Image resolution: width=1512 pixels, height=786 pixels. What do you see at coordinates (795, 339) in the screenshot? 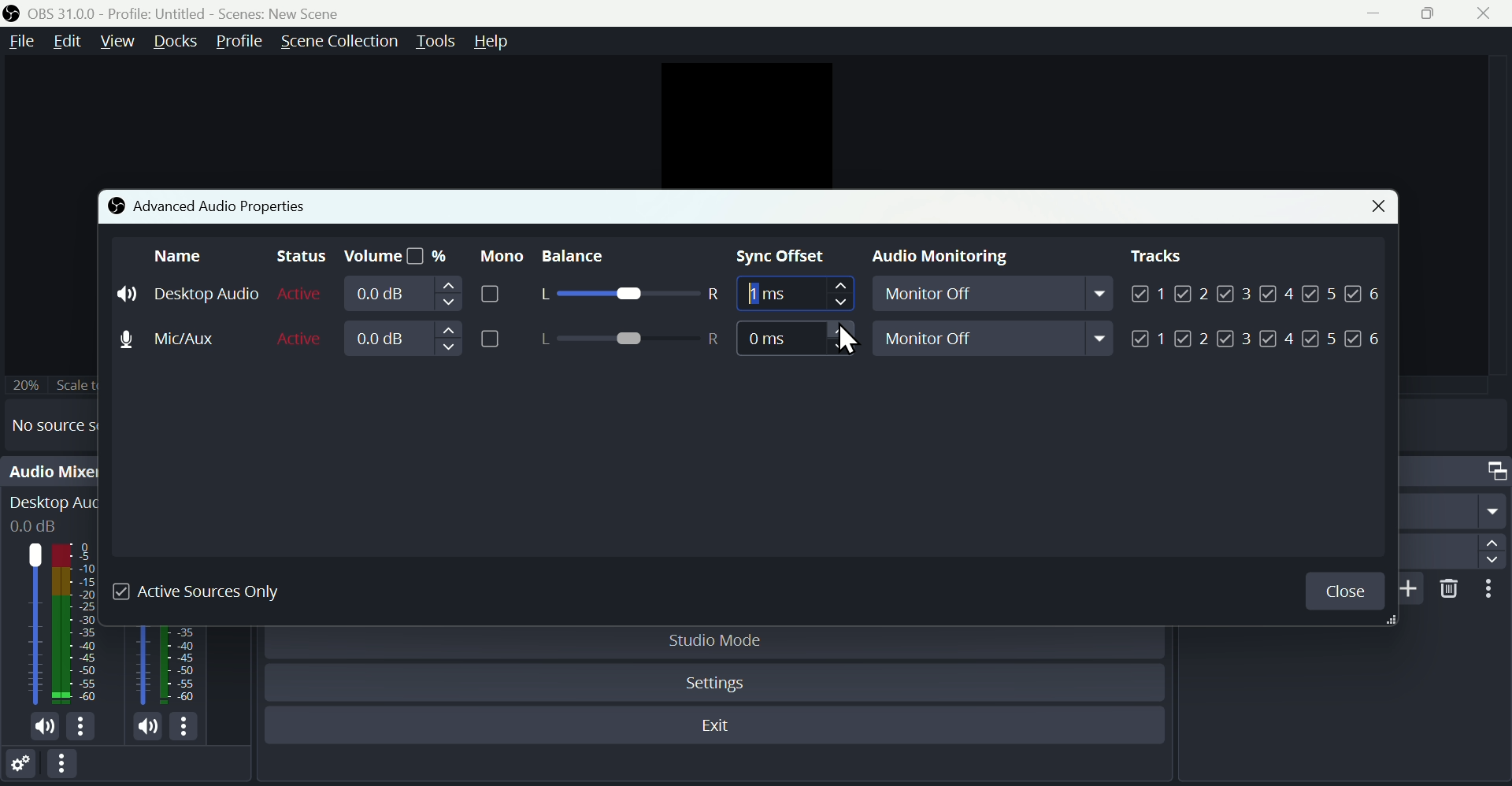
I see `Sync Offset` at bounding box center [795, 339].